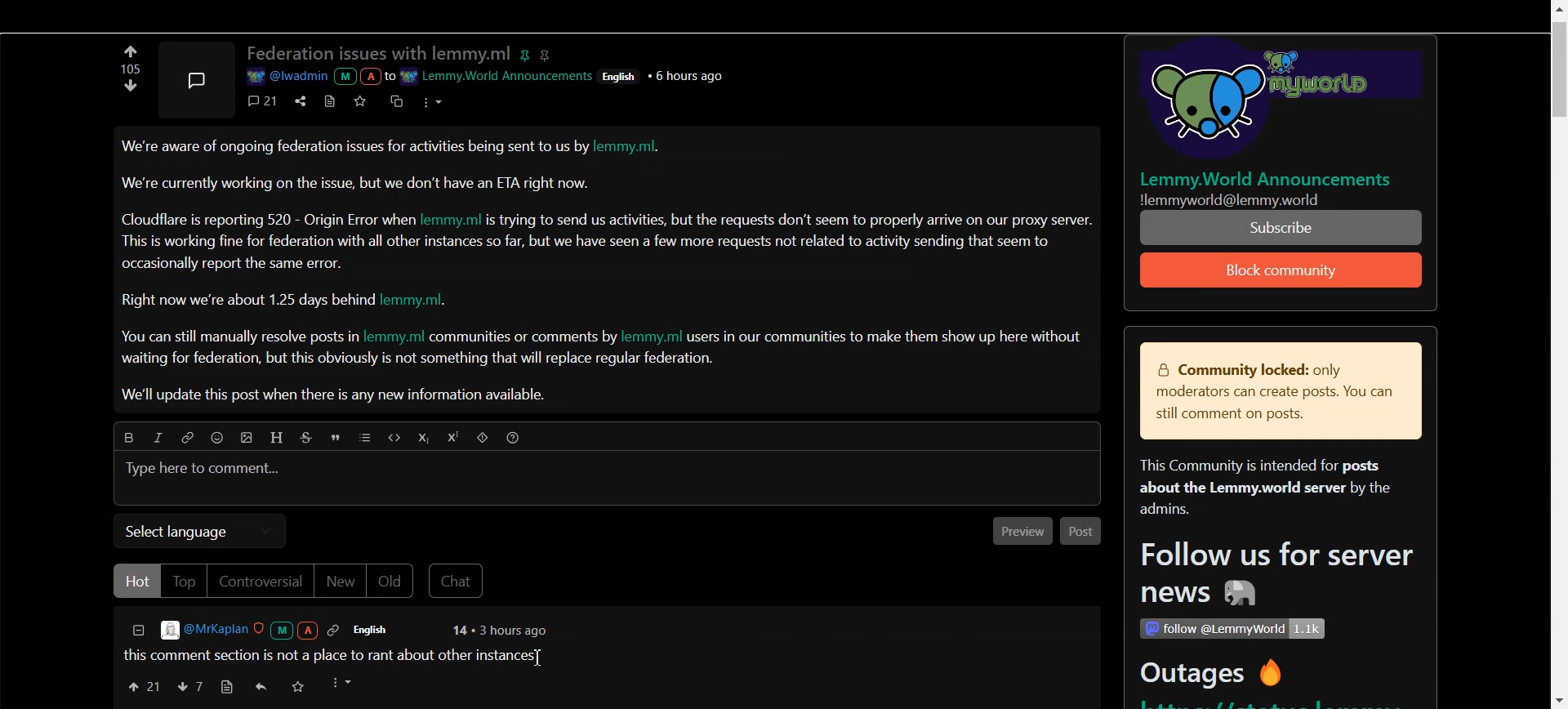 The image size is (1568, 709). Describe the element at coordinates (355, 150) in the screenshot. I see `We're aware of ongoing federation issues for activities being sent to us by` at that location.